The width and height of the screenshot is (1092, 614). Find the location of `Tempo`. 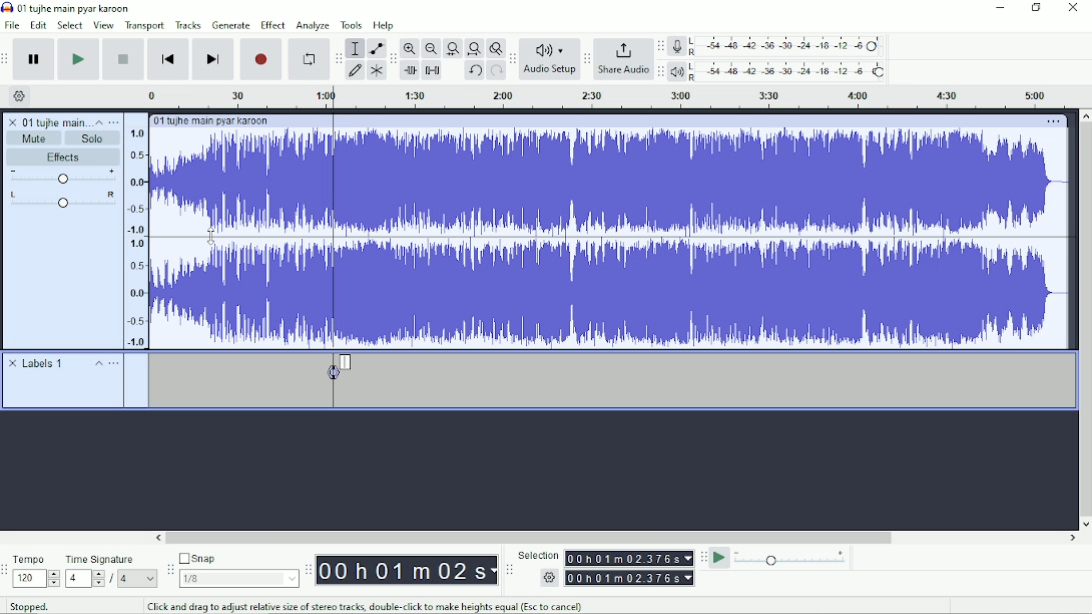

Tempo is located at coordinates (36, 570).